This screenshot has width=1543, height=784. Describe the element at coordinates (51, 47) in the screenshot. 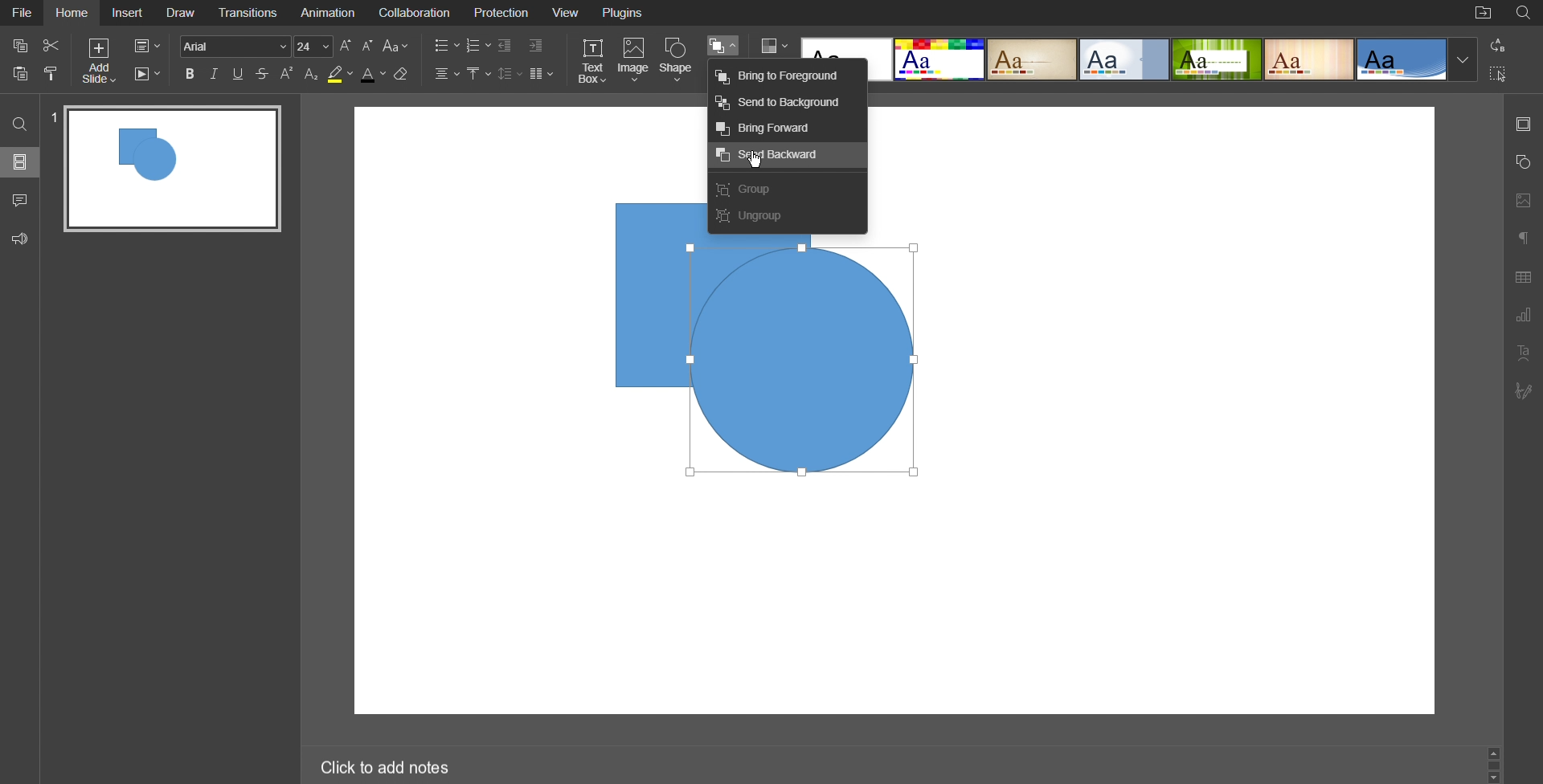

I see `Cut` at that location.